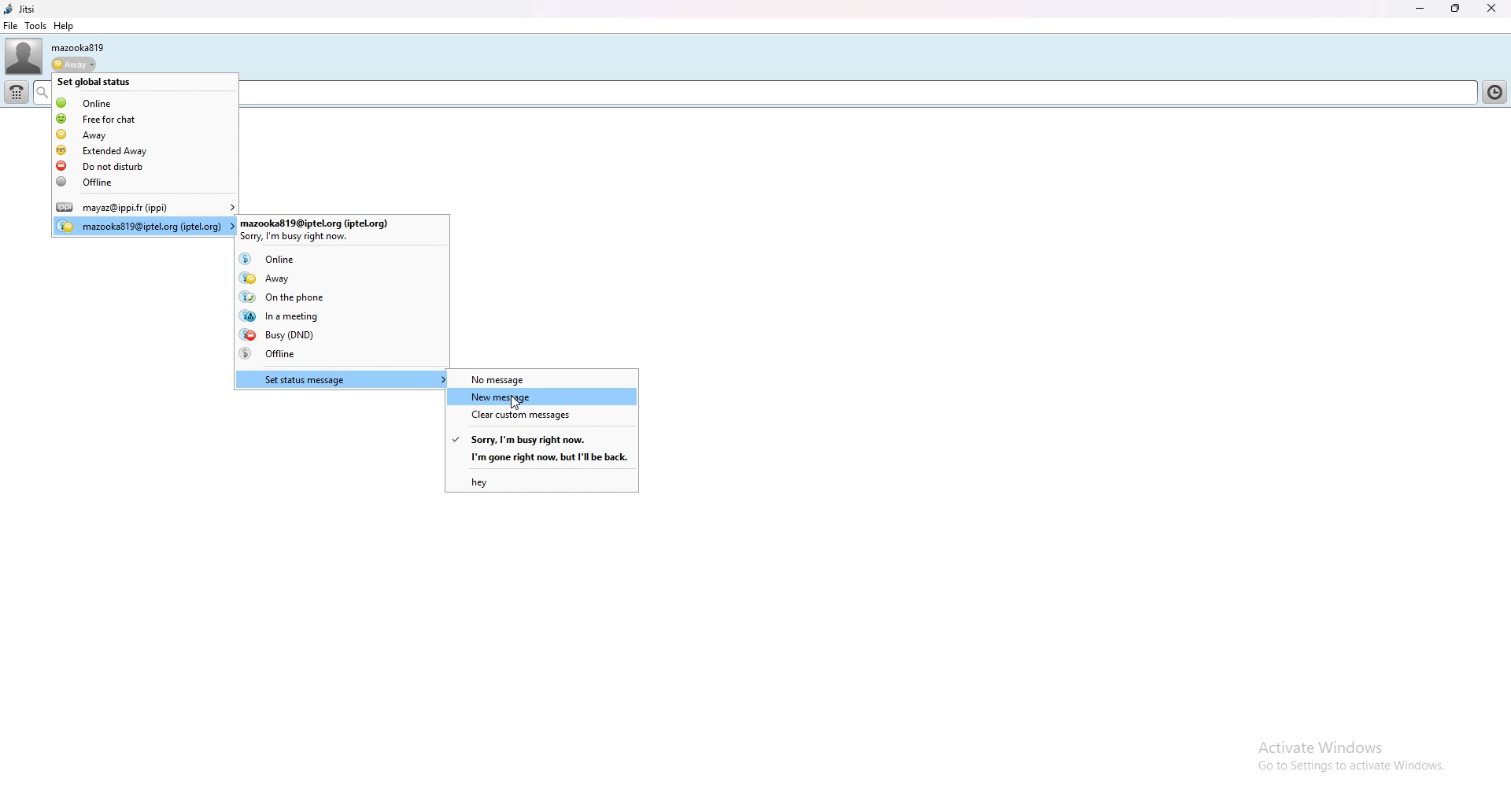 The image size is (1511, 812). What do you see at coordinates (145, 134) in the screenshot?
I see `away` at bounding box center [145, 134].